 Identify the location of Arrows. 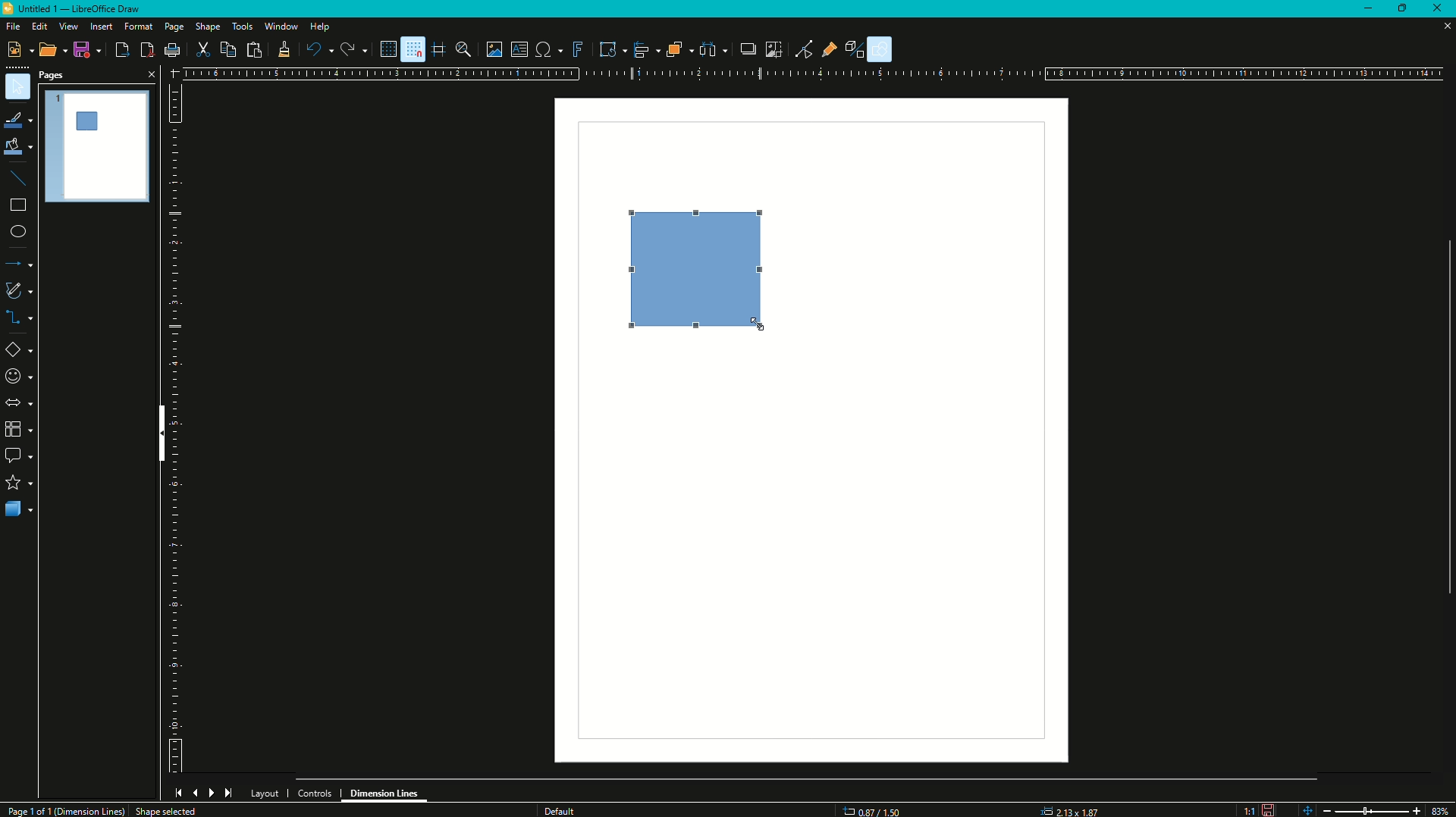
(18, 402).